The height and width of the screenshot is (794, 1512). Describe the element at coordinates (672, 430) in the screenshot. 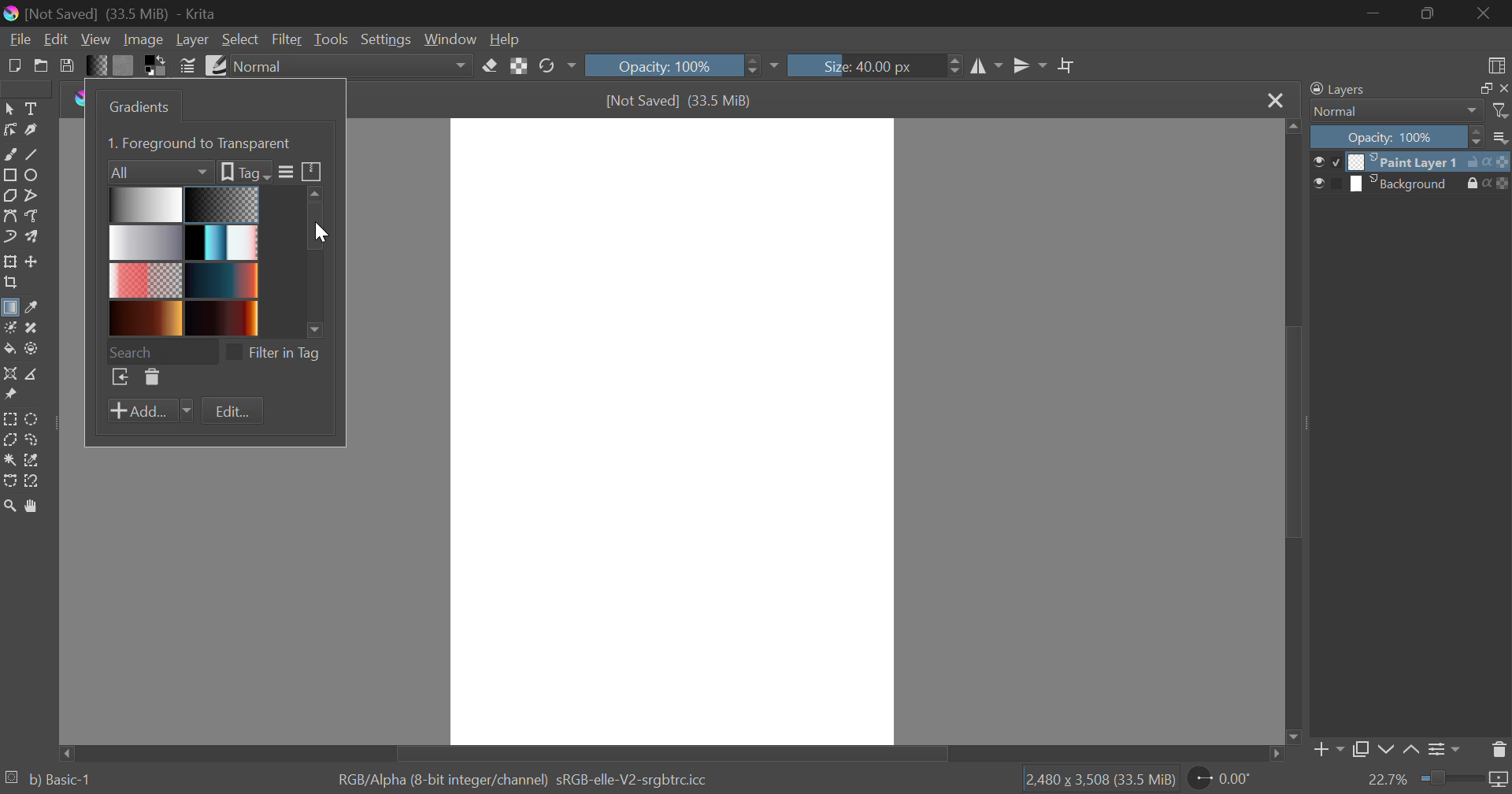

I see `Document Workspace` at that location.